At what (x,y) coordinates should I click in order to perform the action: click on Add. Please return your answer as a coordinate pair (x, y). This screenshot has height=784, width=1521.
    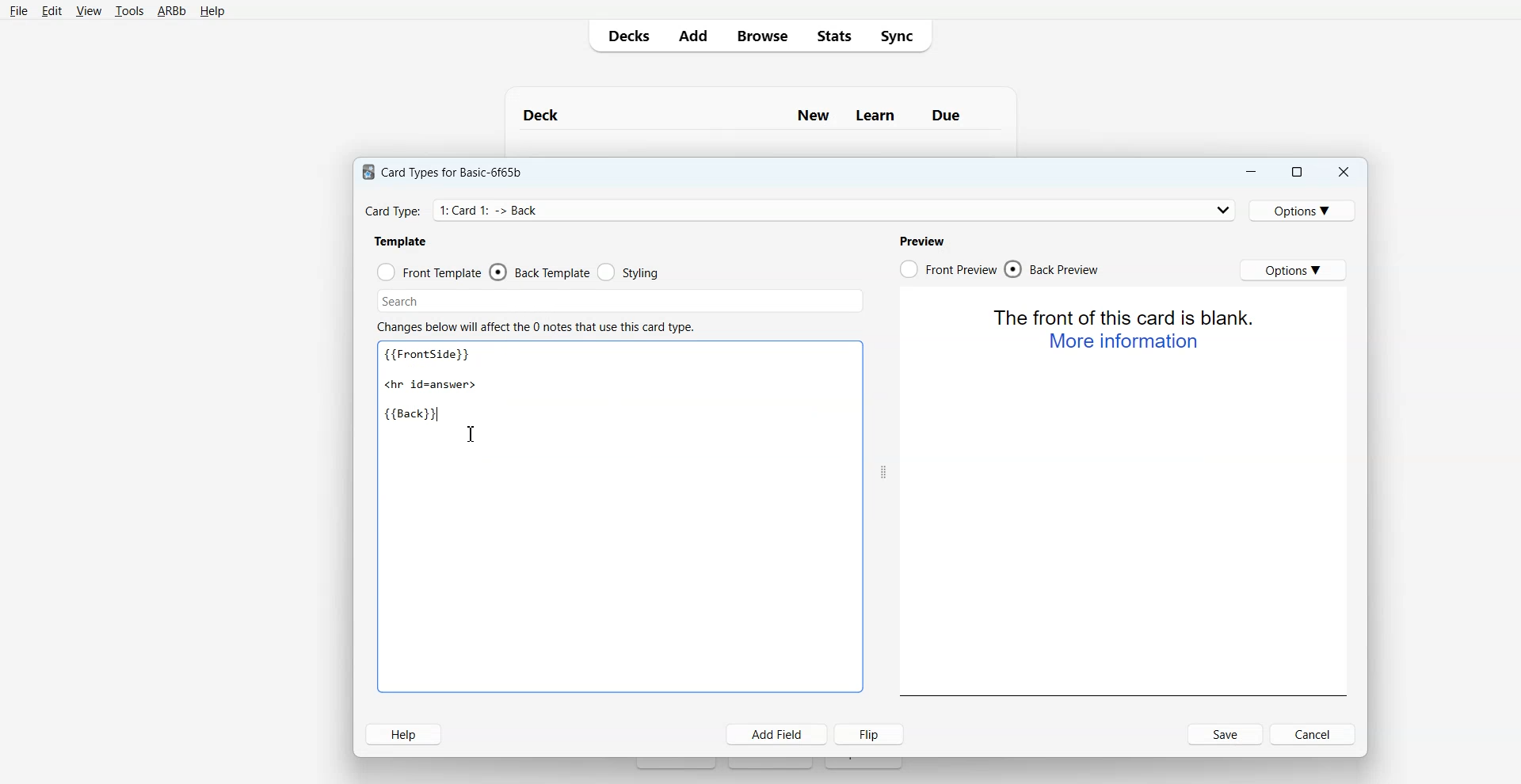
    Looking at the image, I should click on (692, 36).